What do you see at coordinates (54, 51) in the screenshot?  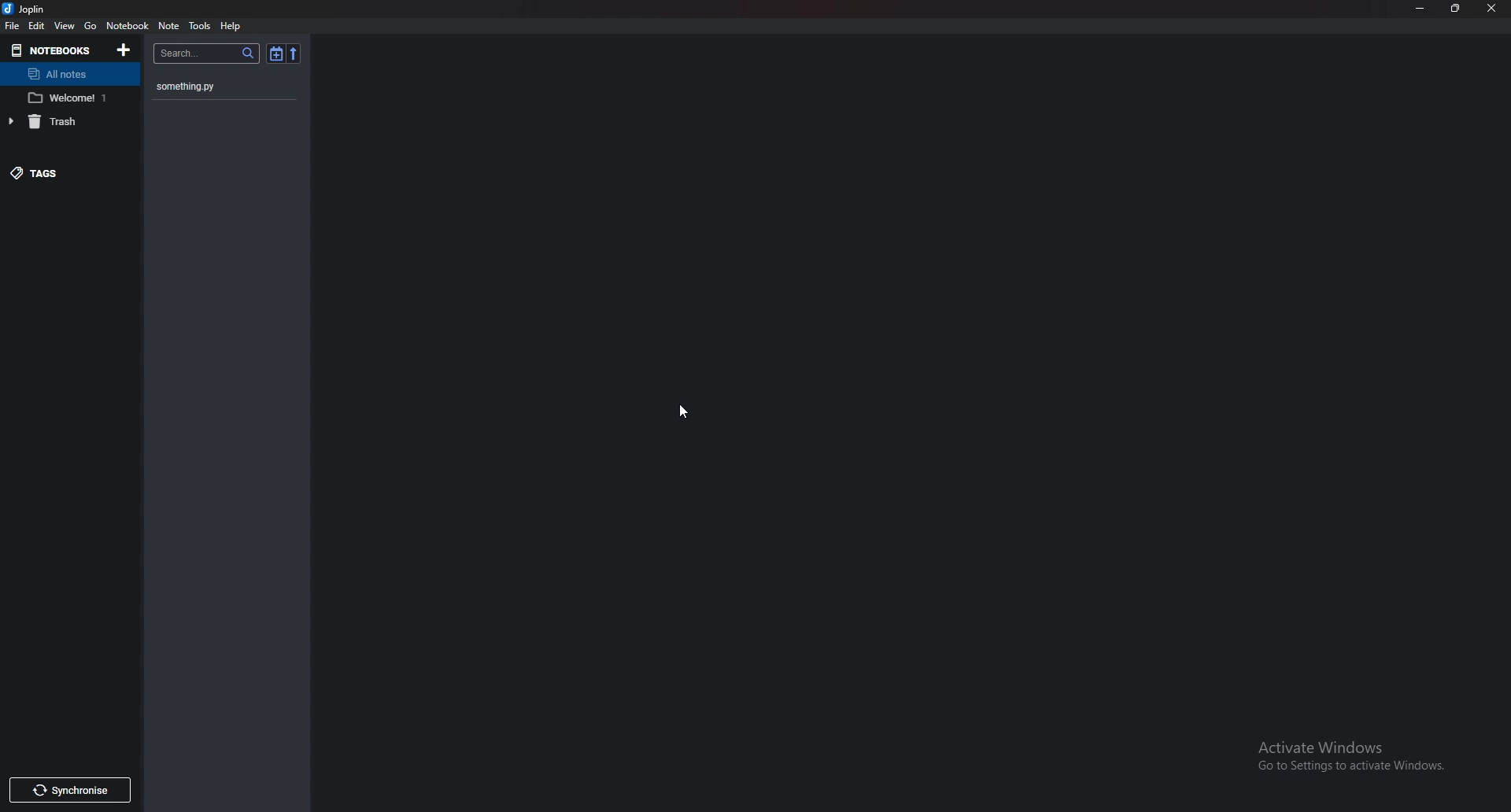 I see `Notebooks` at bounding box center [54, 51].